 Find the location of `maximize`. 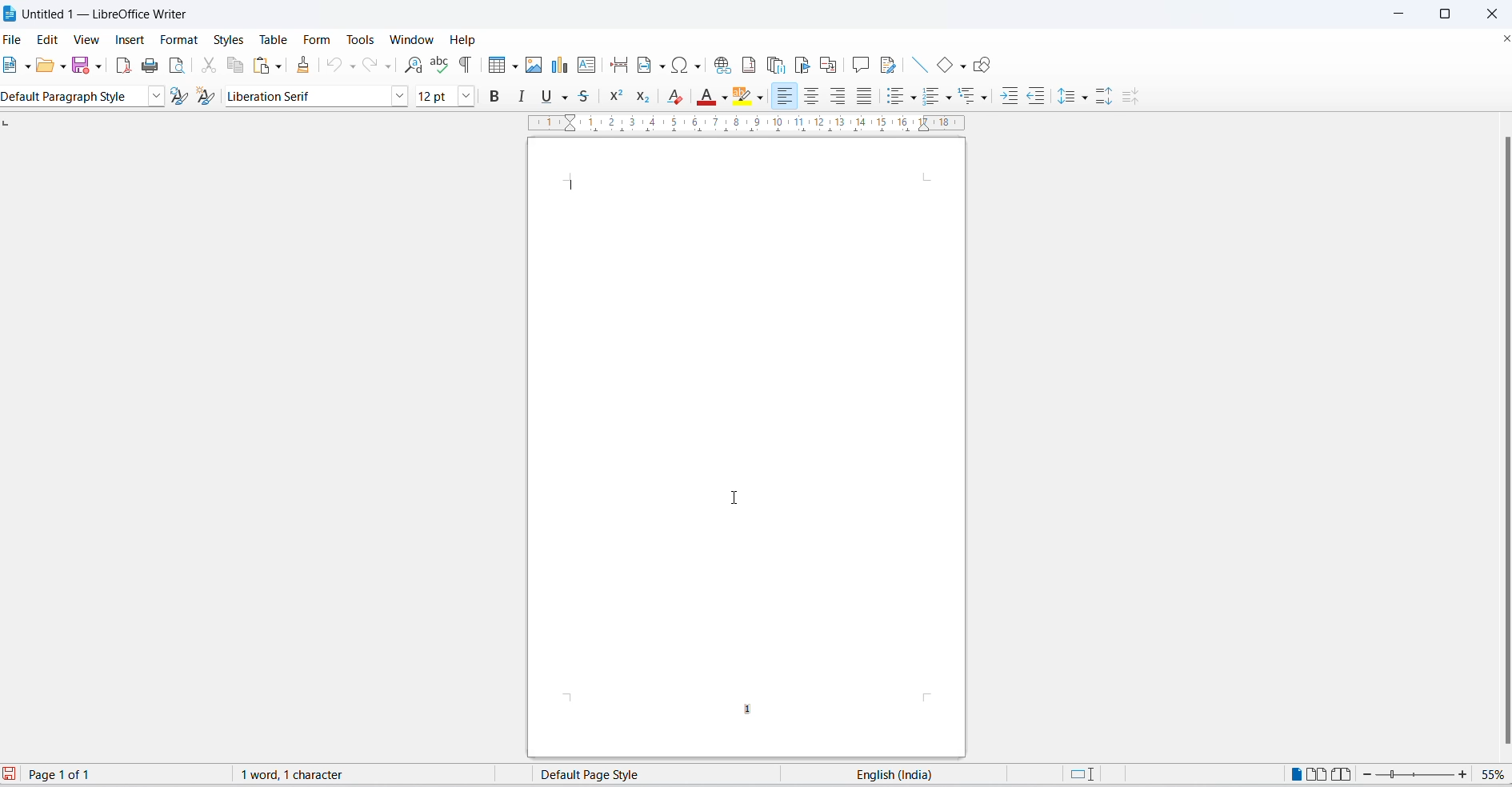

maximize is located at coordinates (1445, 15).